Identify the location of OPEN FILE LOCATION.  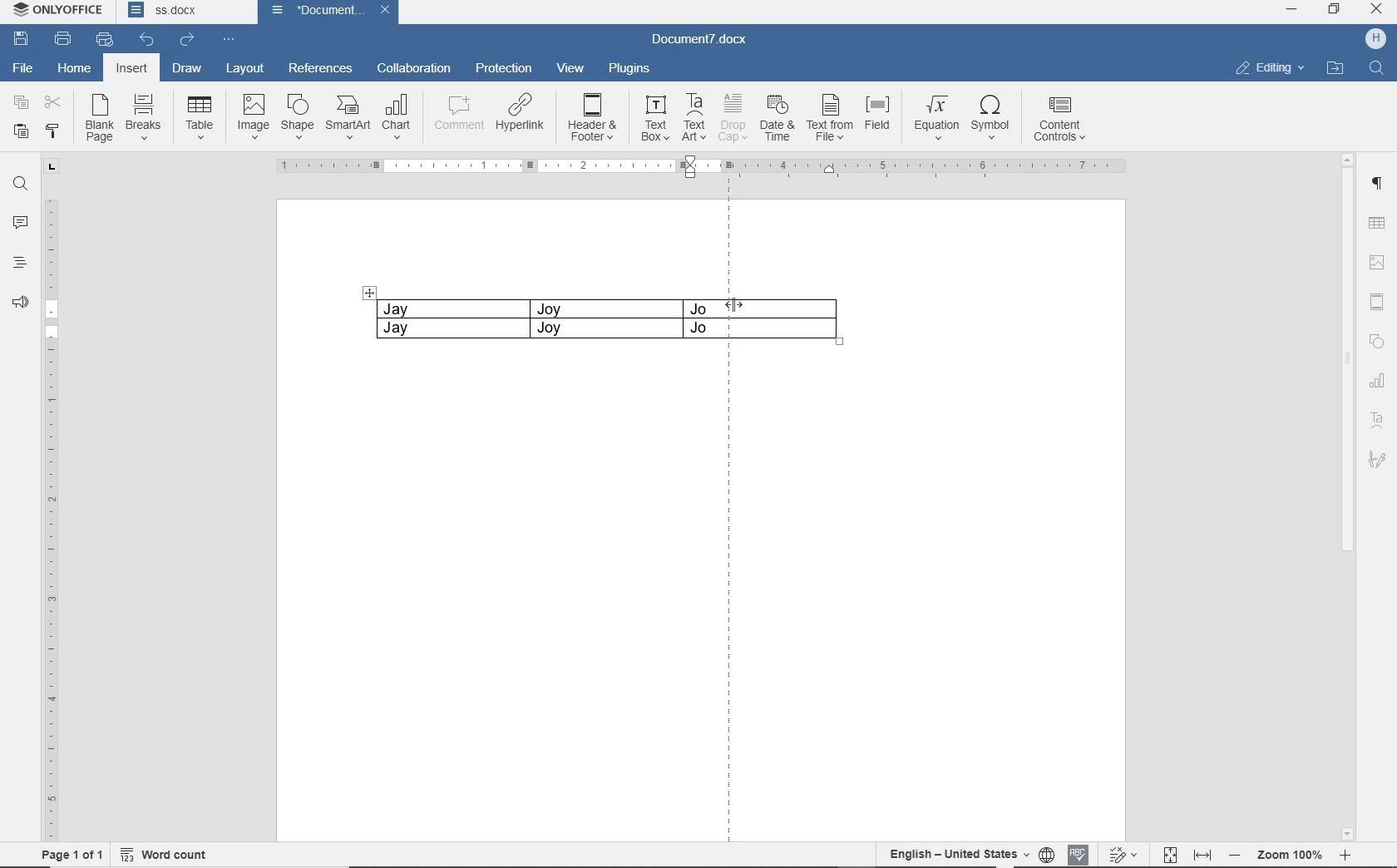
(1335, 72).